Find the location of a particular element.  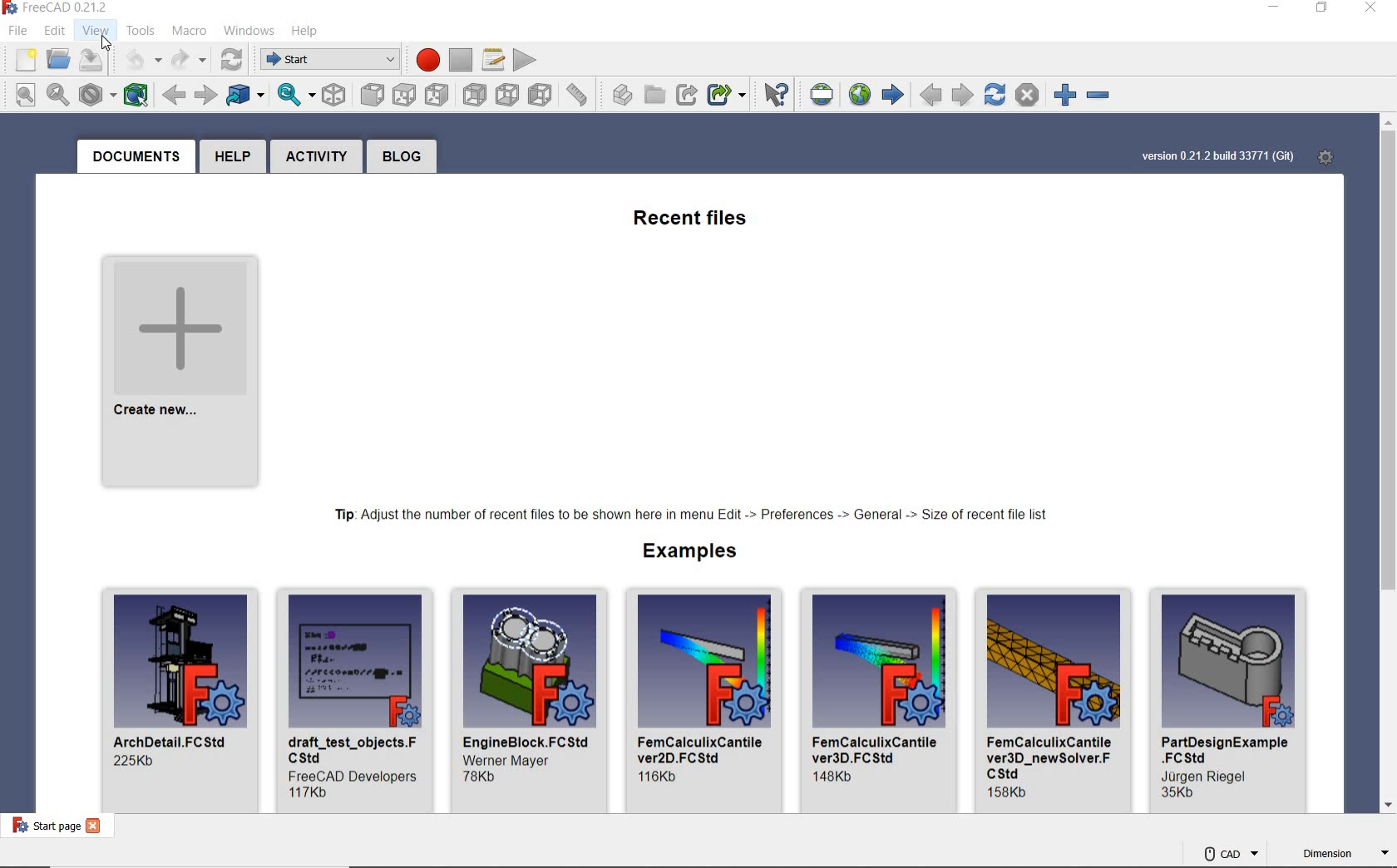

redo is located at coordinates (187, 60).